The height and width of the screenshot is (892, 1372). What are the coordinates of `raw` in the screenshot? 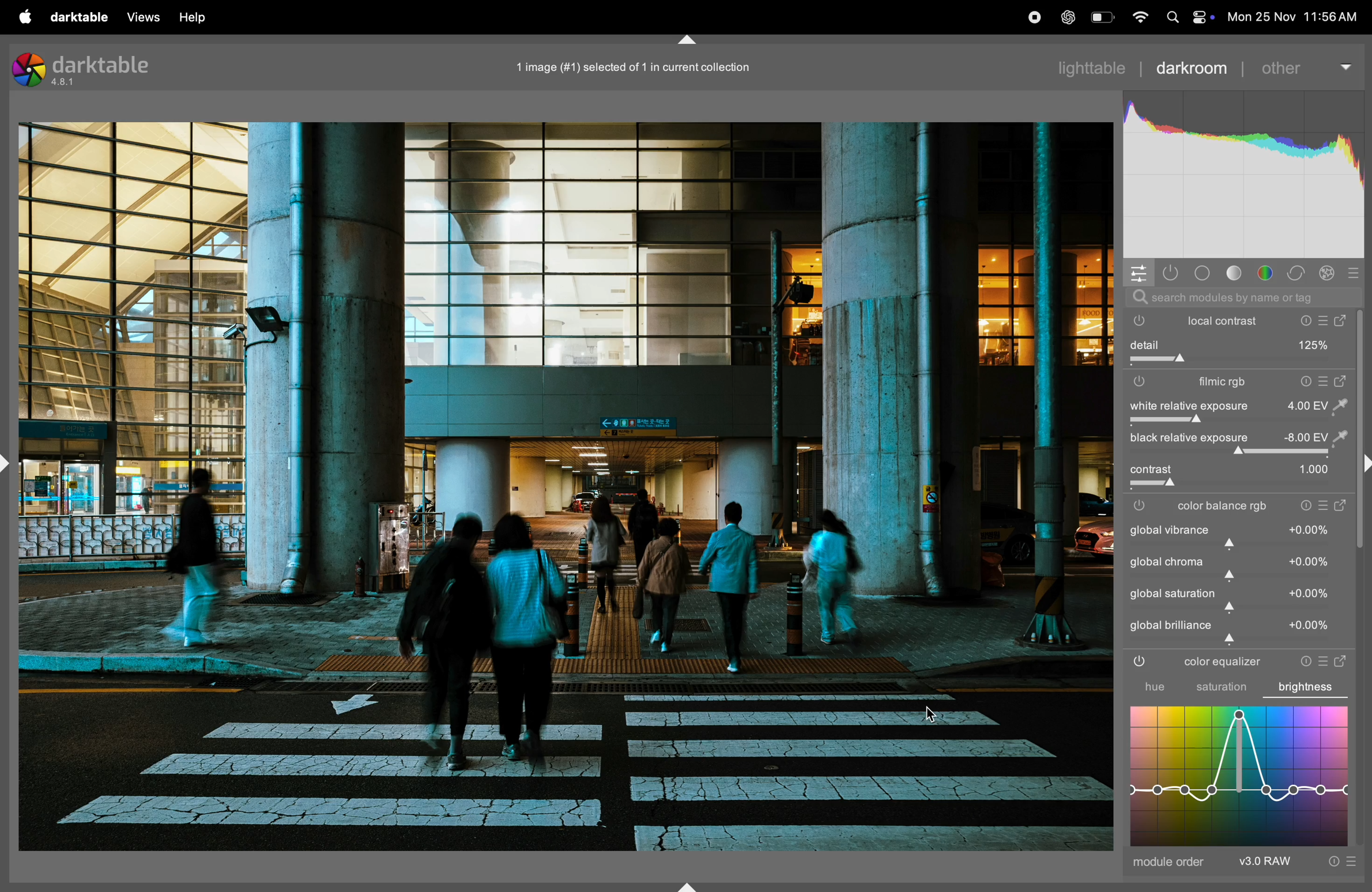 It's located at (1299, 862).